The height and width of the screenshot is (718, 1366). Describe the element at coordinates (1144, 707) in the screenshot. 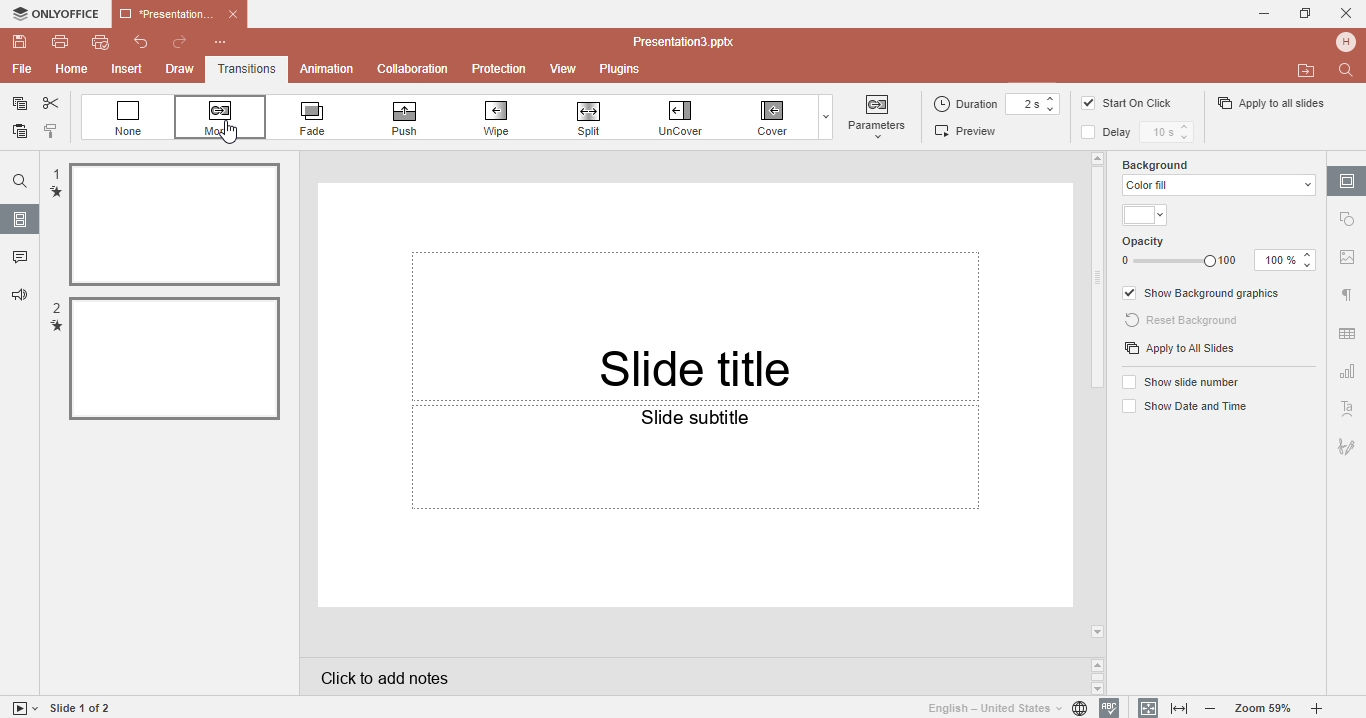

I see `Fit to slidee` at that location.